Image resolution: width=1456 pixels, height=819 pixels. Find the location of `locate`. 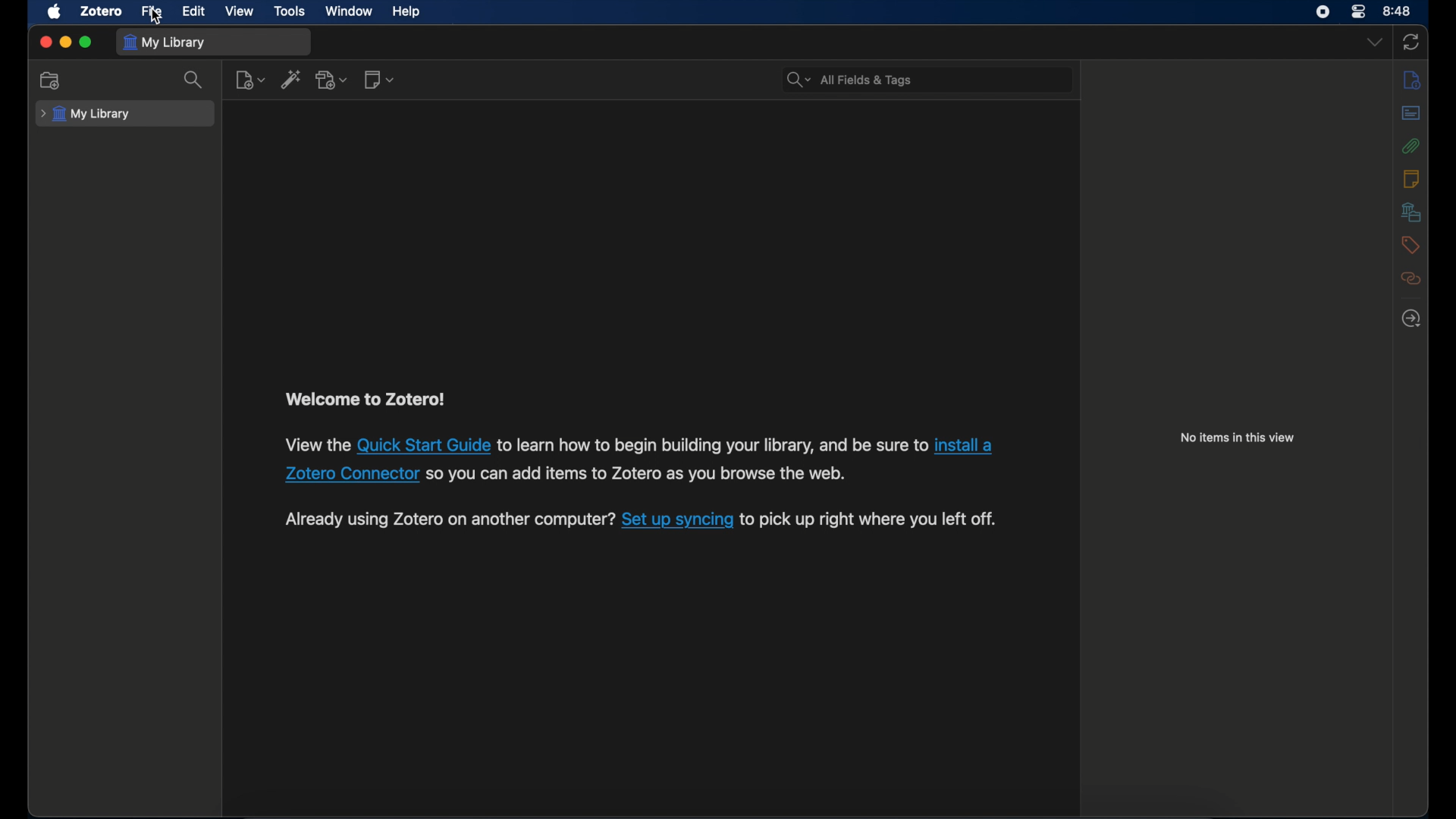

locate is located at coordinates (1414, 319).